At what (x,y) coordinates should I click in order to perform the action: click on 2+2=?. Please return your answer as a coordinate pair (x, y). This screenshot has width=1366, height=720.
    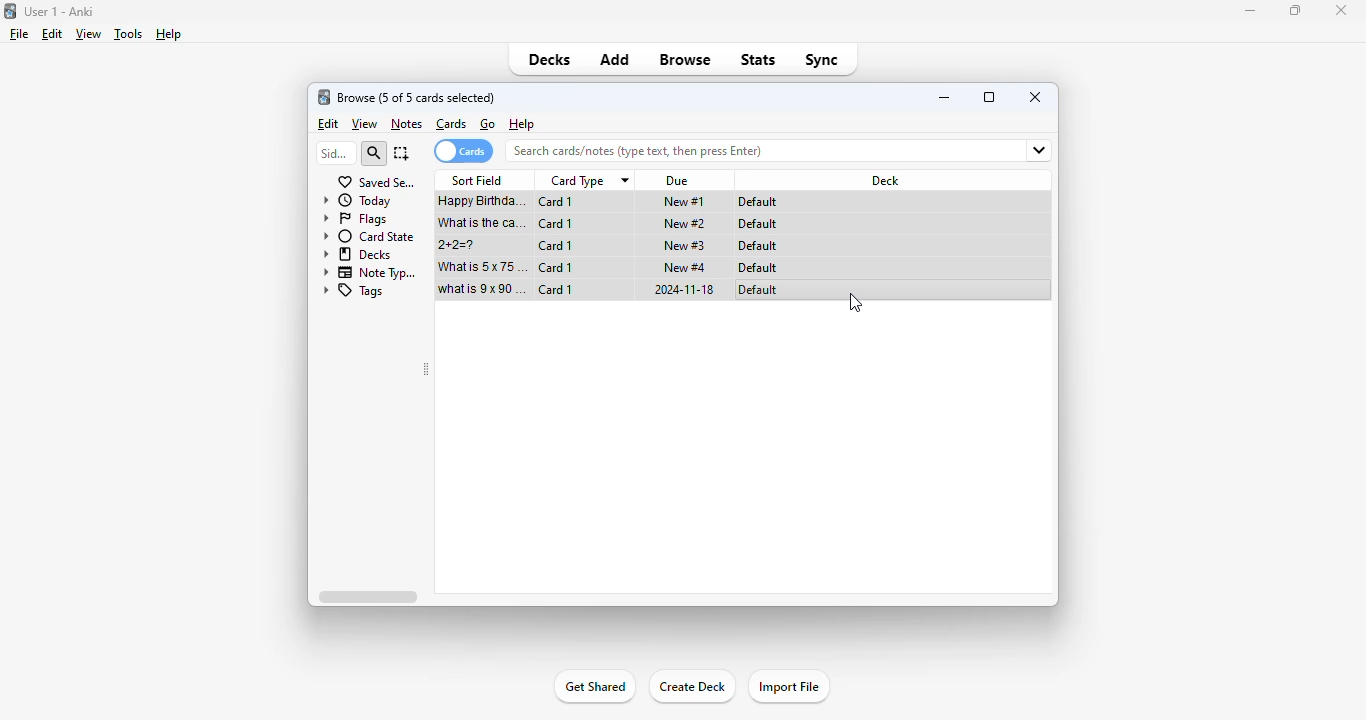
    Looking at the image, I should click on (459, 245).